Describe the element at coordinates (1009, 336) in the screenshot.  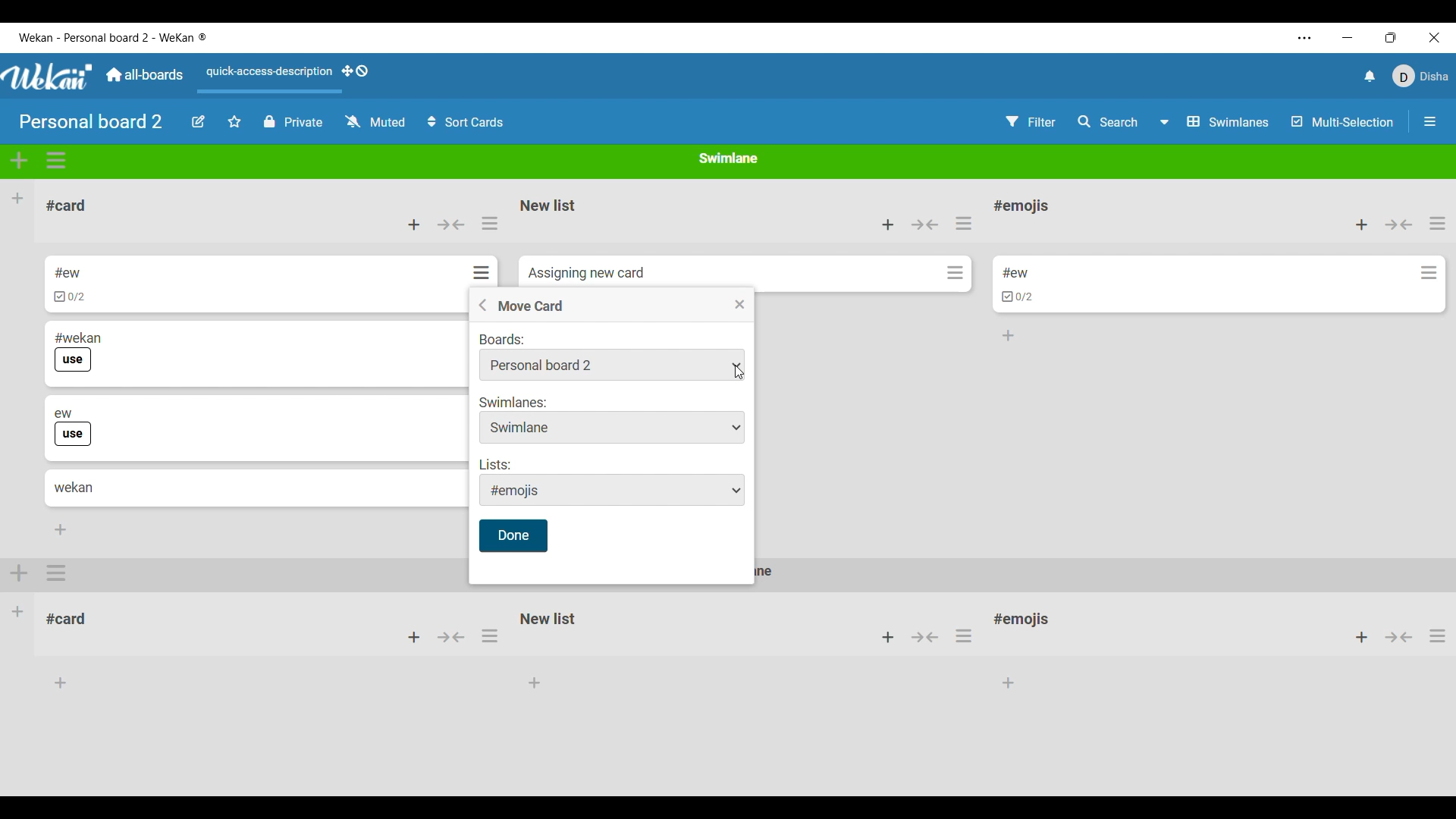
I see `Add card to bottom of list` at that location.